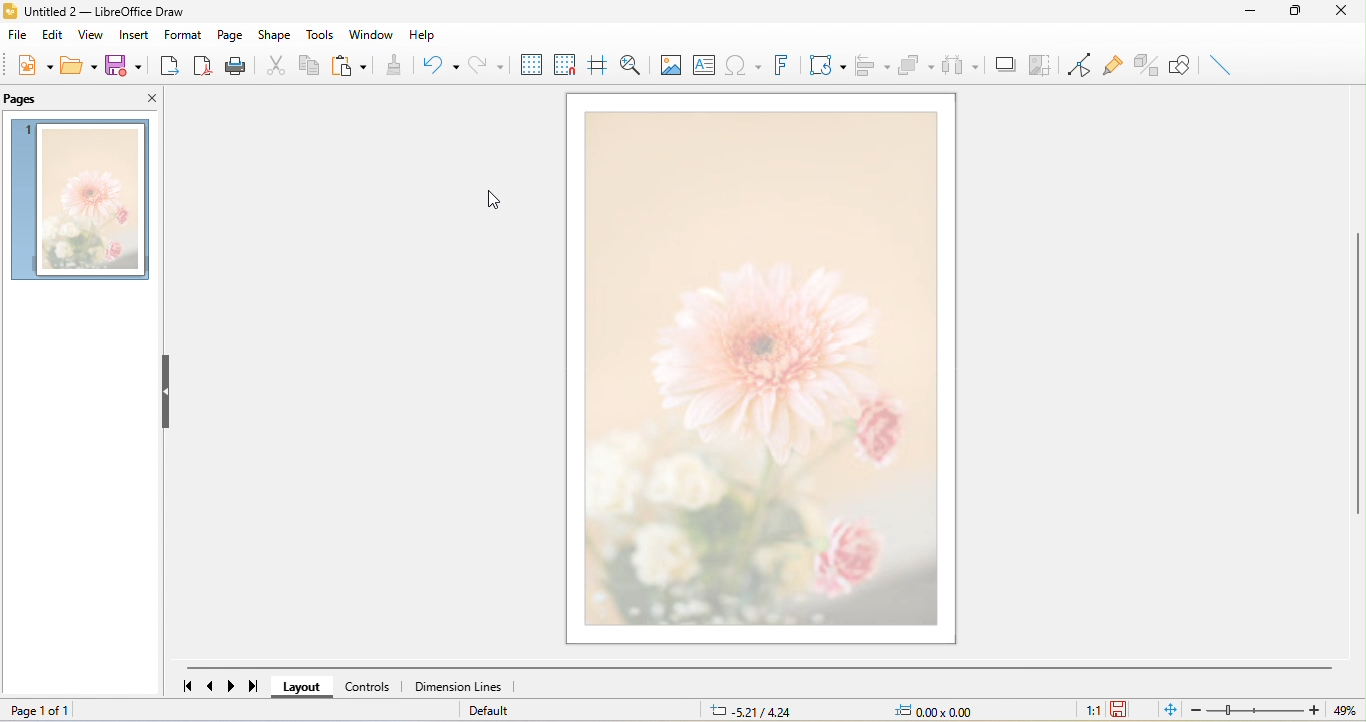  Describe the element at coordinates (1258, 13) in the screenshot. I see `minimize` at that location.